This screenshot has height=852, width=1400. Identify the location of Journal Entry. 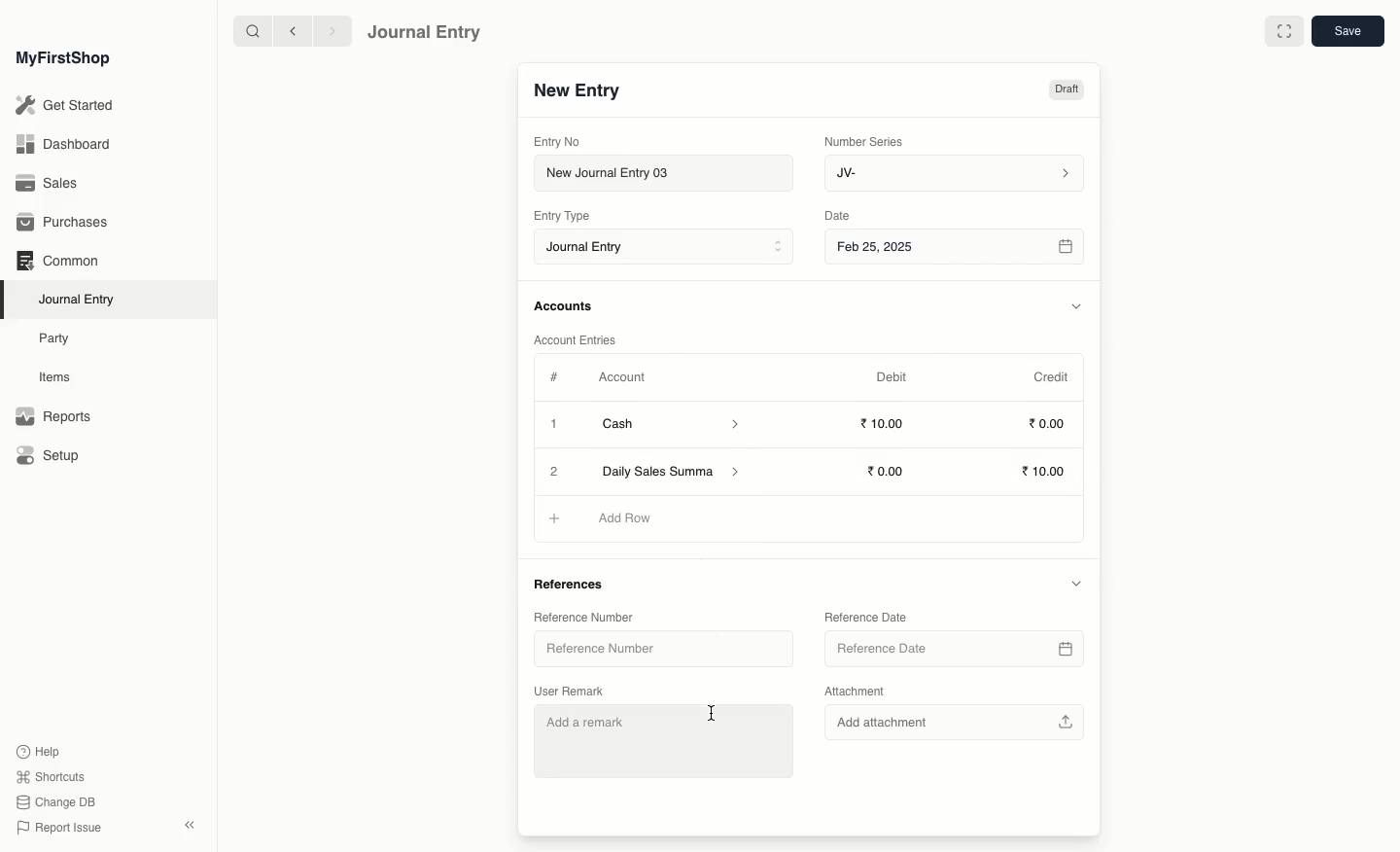
(425, 31).